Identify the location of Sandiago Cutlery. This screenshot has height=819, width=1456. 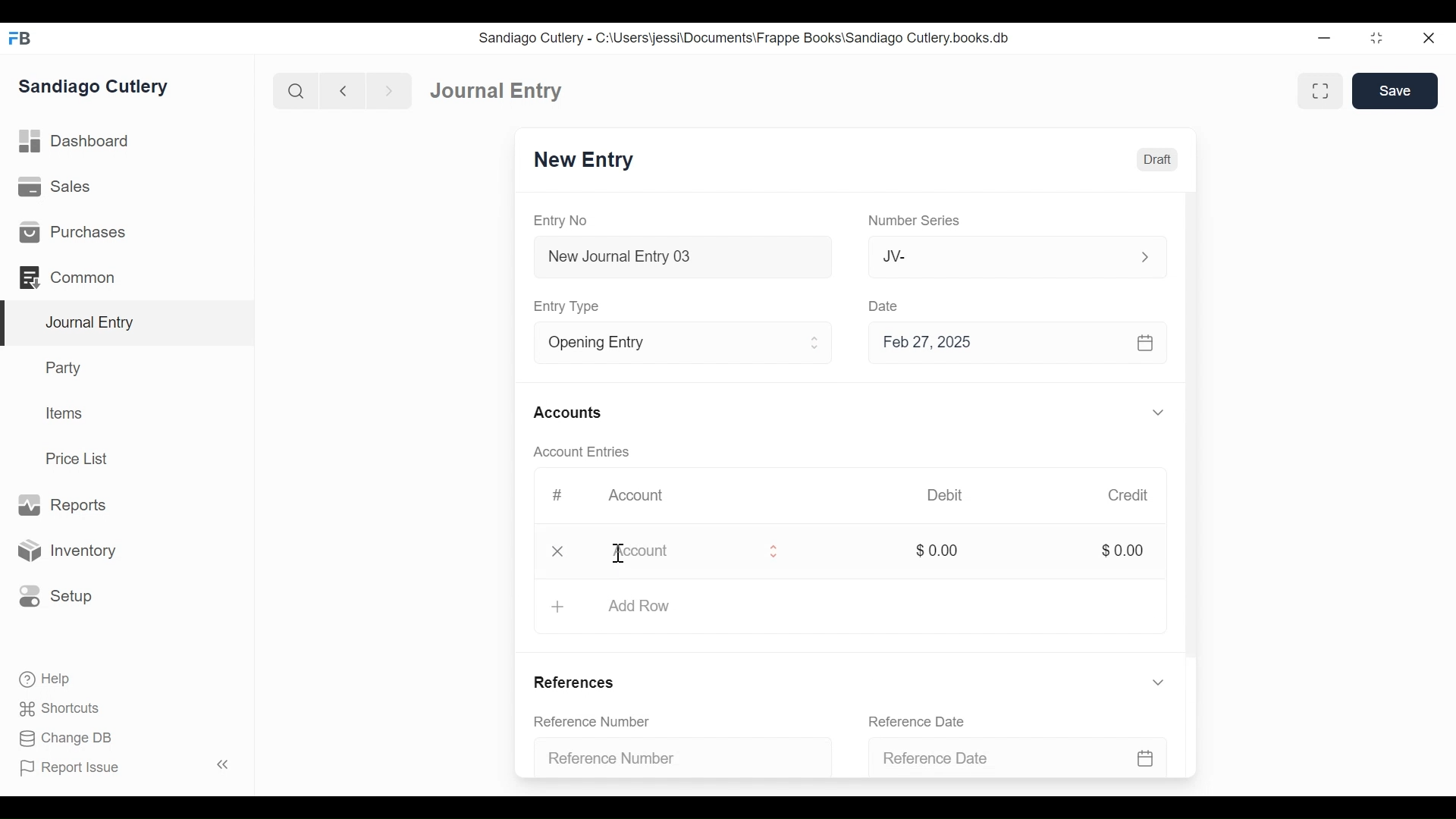
(96, 88).